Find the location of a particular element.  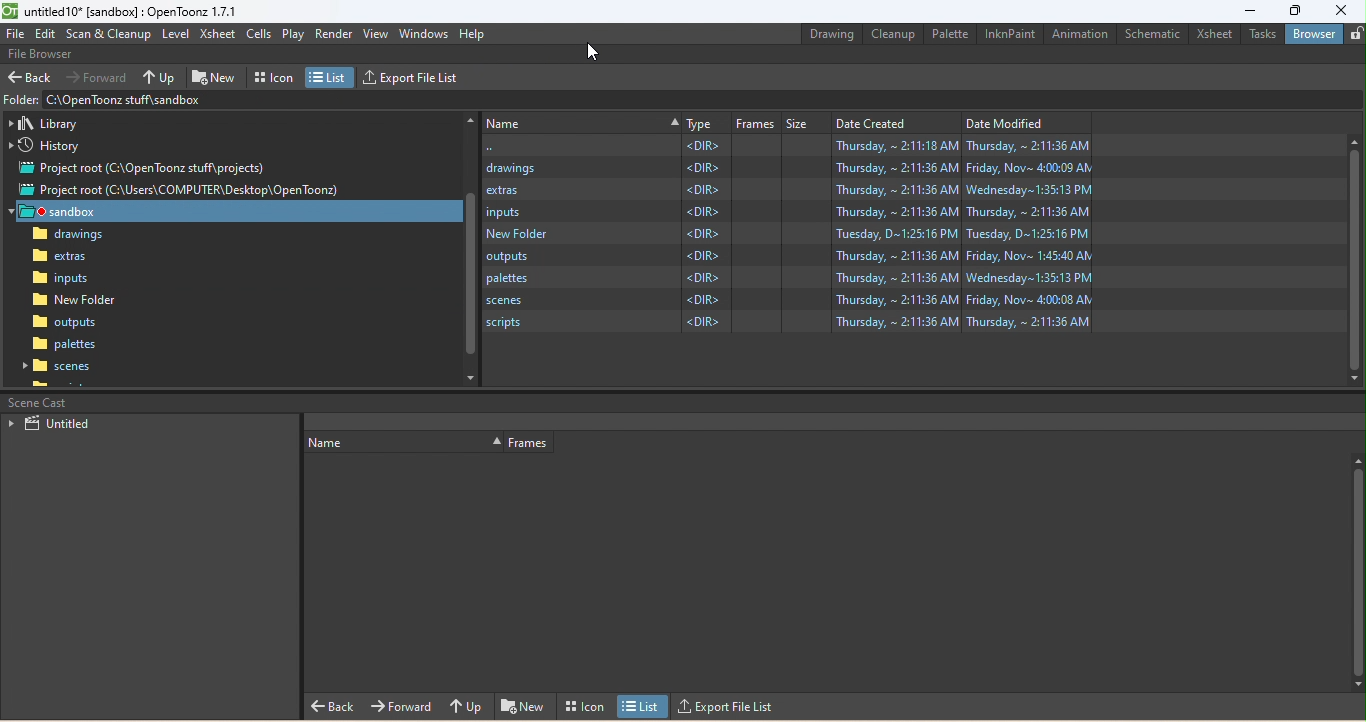

Schematic is located at coordinates (1153, 34).